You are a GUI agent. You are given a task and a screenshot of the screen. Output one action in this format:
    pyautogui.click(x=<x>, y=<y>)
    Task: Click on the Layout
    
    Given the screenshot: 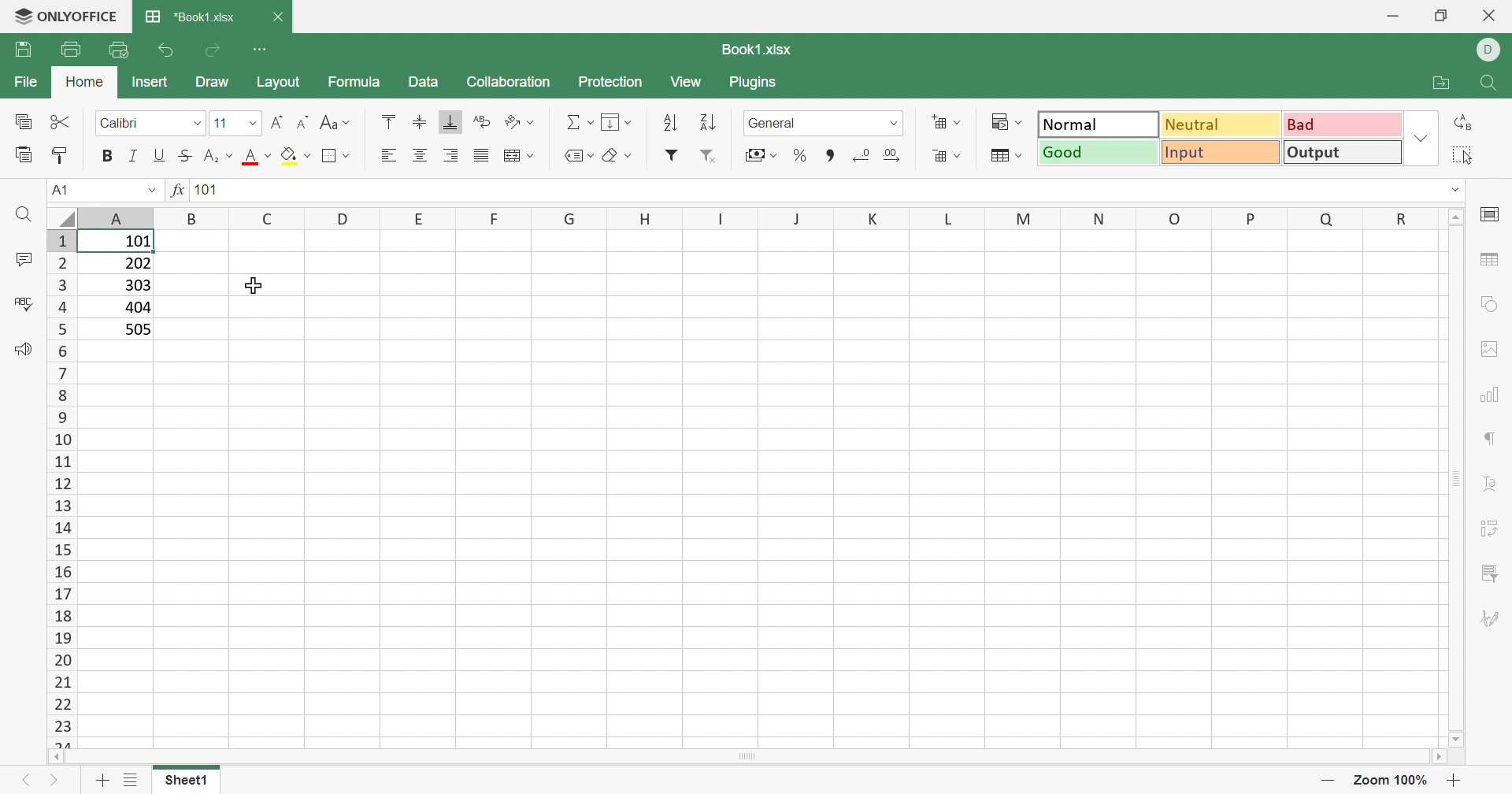 What is the action you would take?
    pyautogui.click(x=284, y=83)
    